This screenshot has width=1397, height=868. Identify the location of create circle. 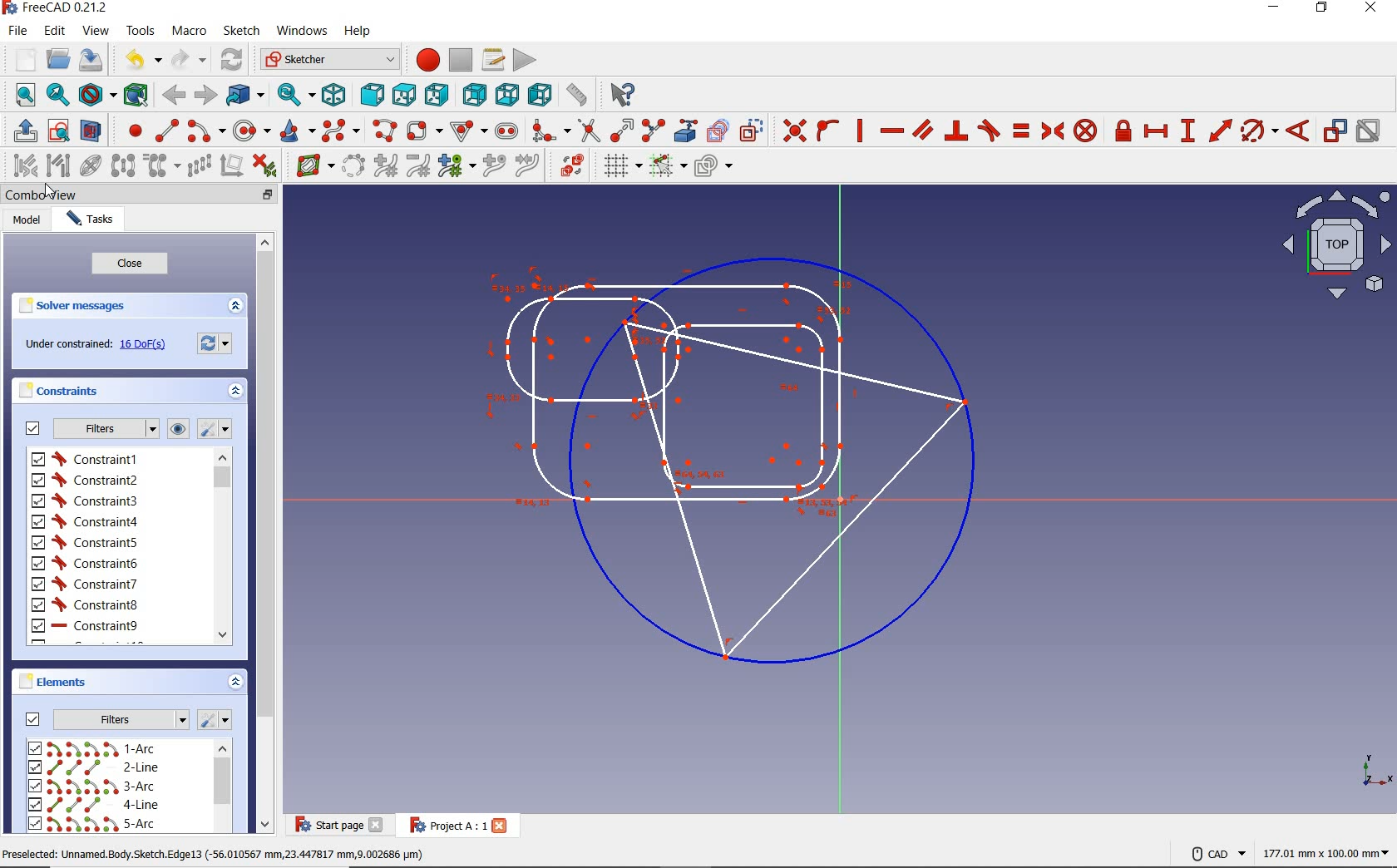
(250, 130).